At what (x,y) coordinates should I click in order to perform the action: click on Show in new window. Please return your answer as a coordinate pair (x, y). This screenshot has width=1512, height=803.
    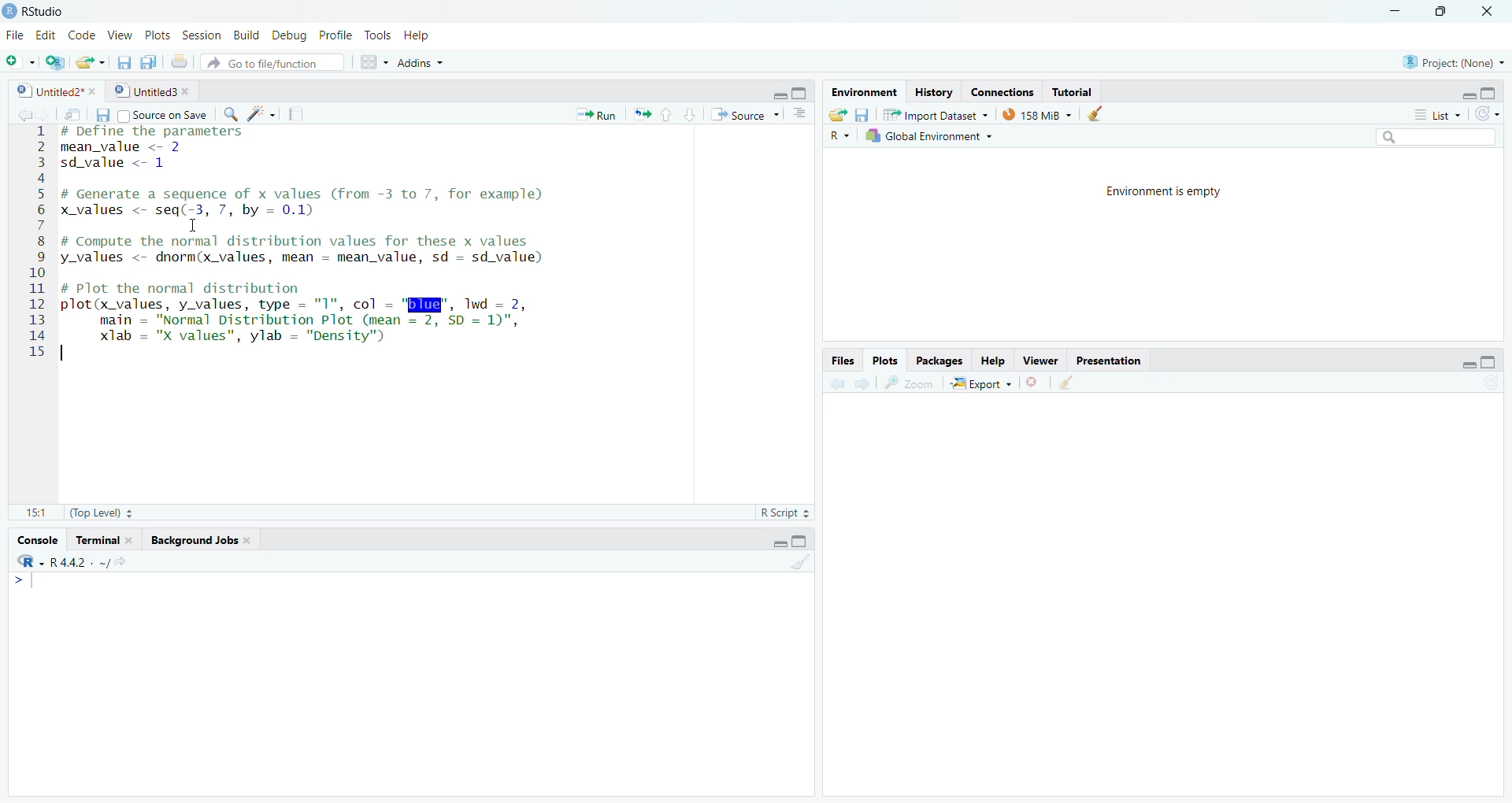
    Looking at the image, I should click on (69, 113).